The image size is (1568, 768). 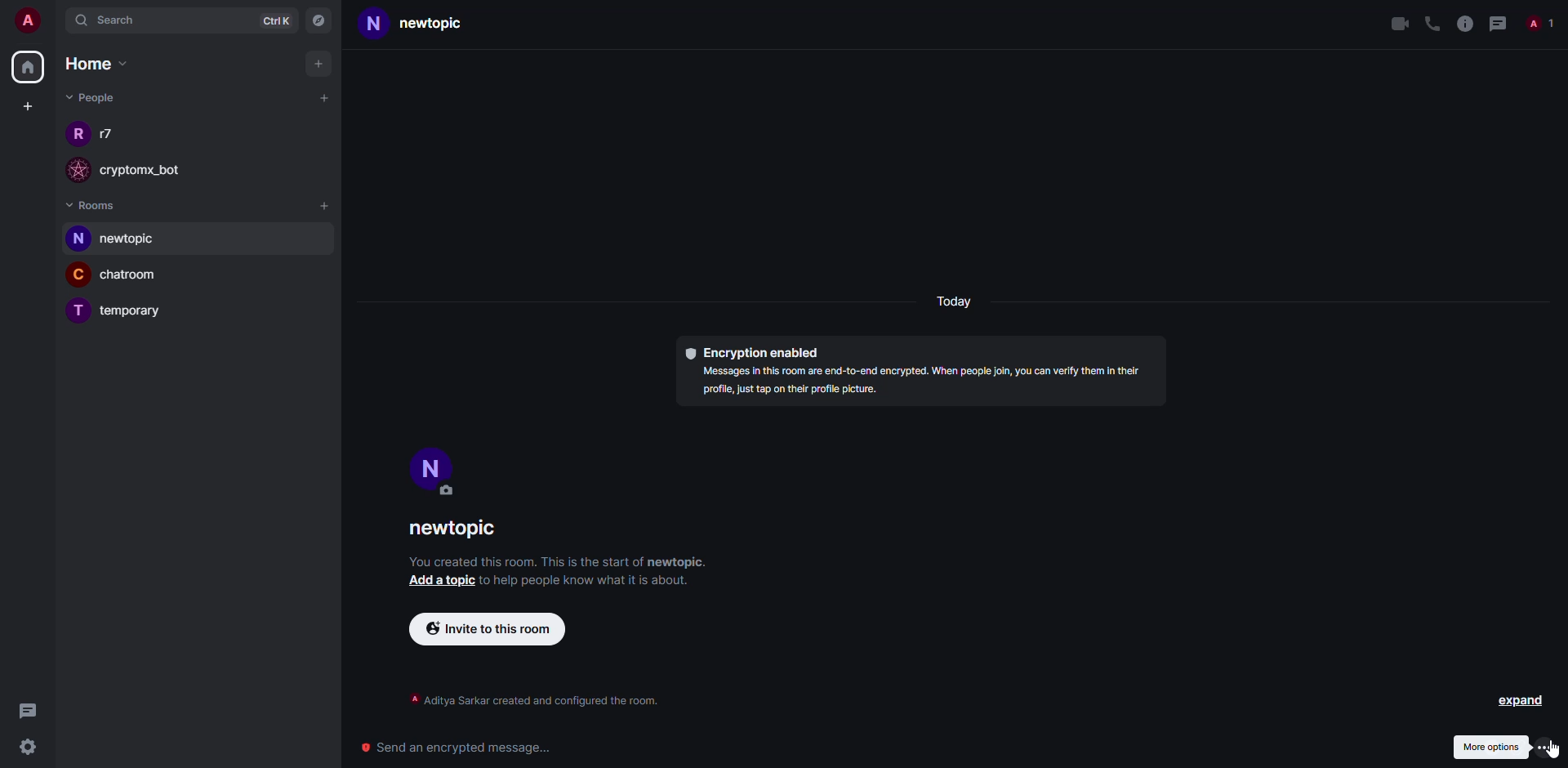 What do you see at coordinates (1546, 748) in the screenshot?
I see `more options` at bounding box center [1546, 748].